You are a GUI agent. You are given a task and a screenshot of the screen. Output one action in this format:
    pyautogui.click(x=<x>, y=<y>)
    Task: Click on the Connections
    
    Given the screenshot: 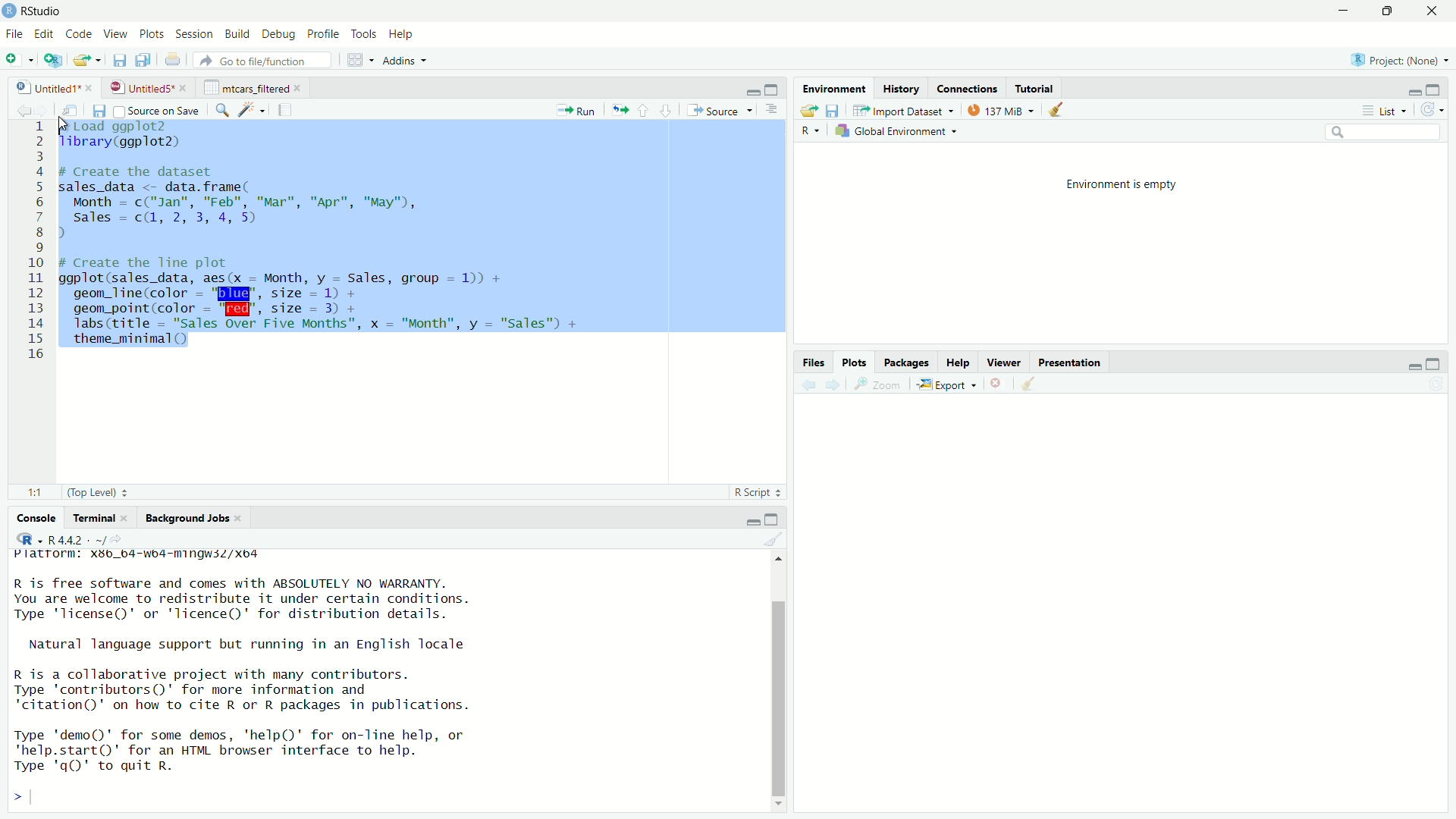 What is the action you would take?
    pyautogui.click(x=968, y=89)
    